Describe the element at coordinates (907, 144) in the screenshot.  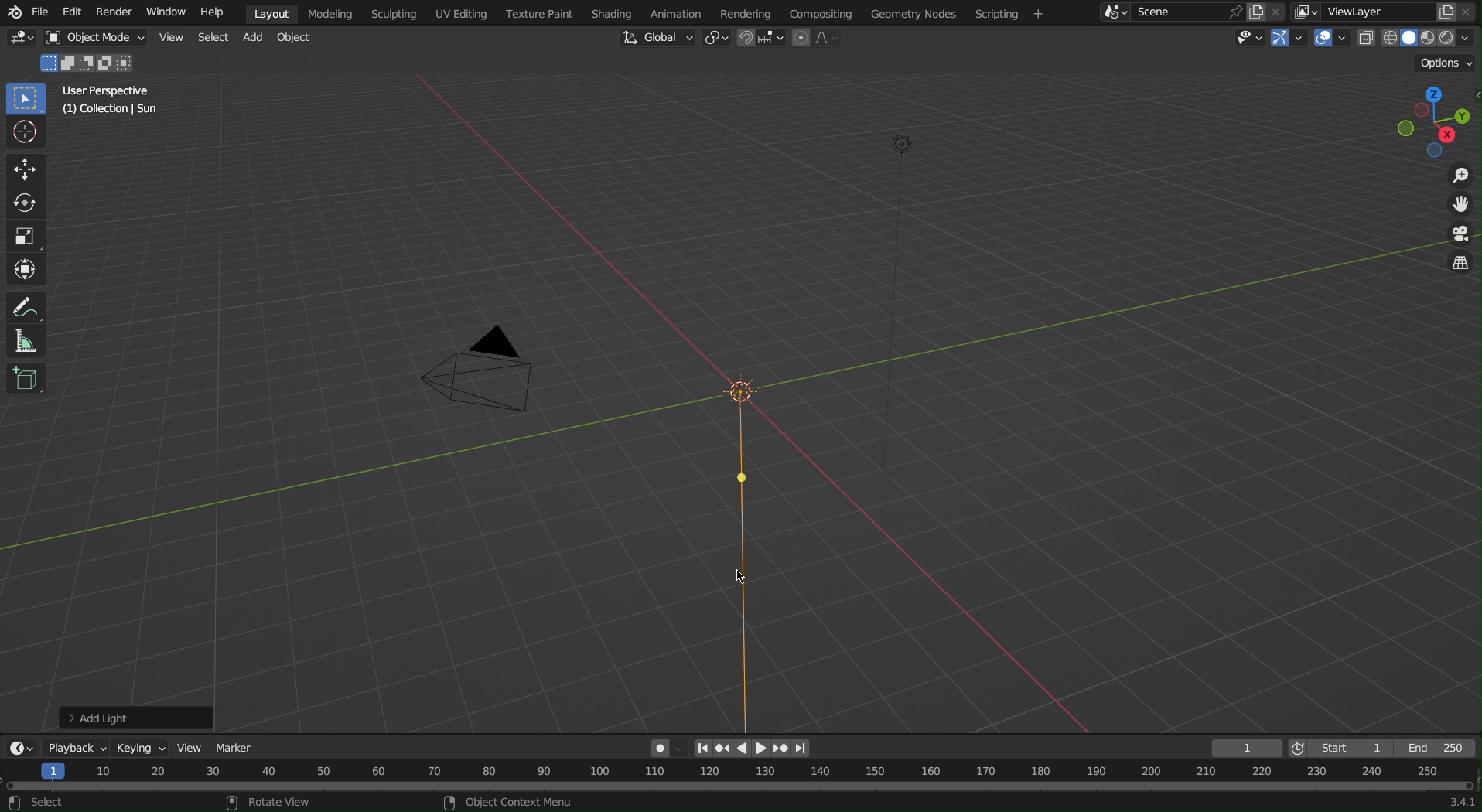
I see `Brightness` at that location.